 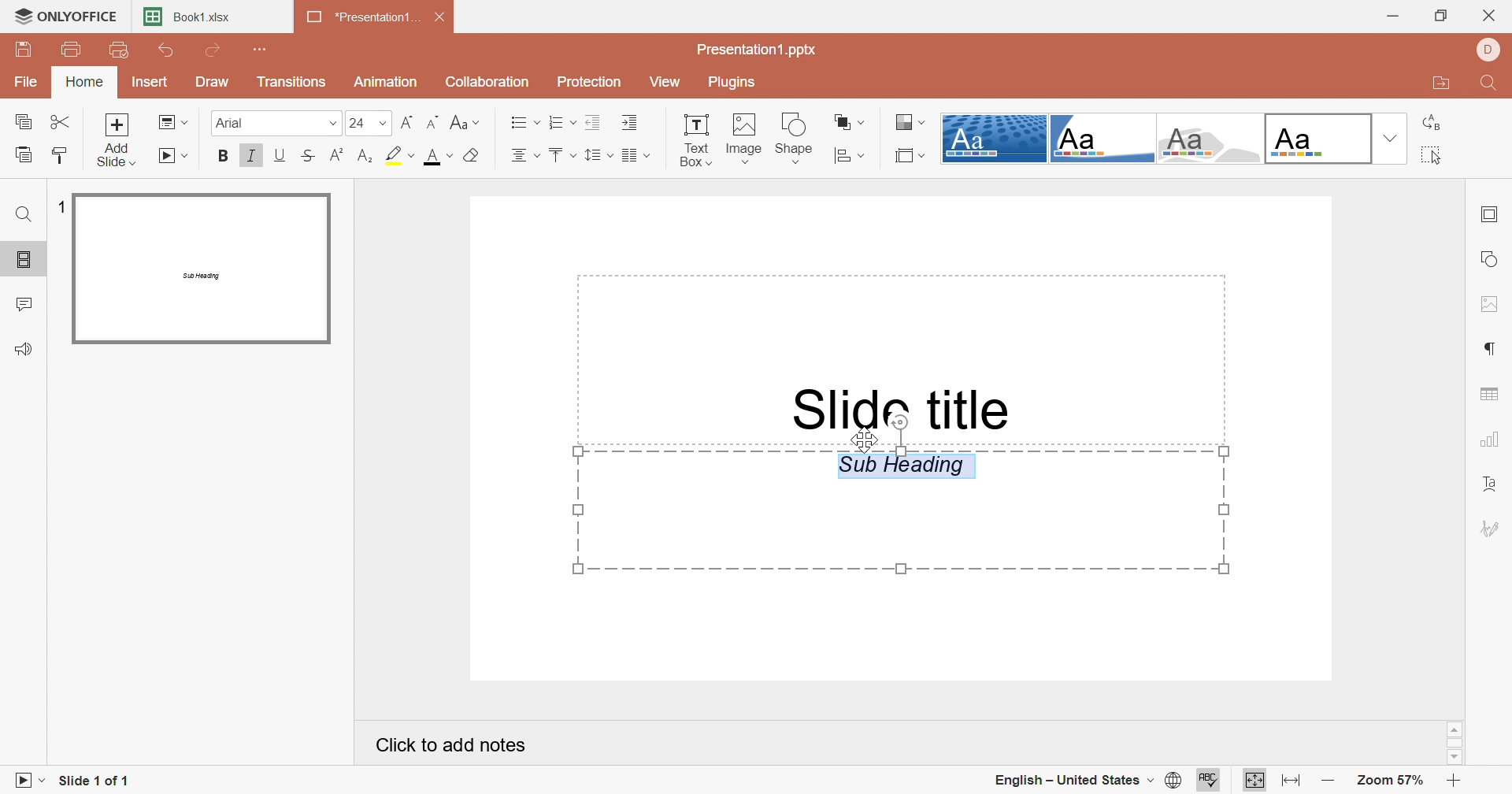 What do you see at coordinates (1491, 215) in the screenshot?
I see `Slide settings` at bounding box center [1491, 215].